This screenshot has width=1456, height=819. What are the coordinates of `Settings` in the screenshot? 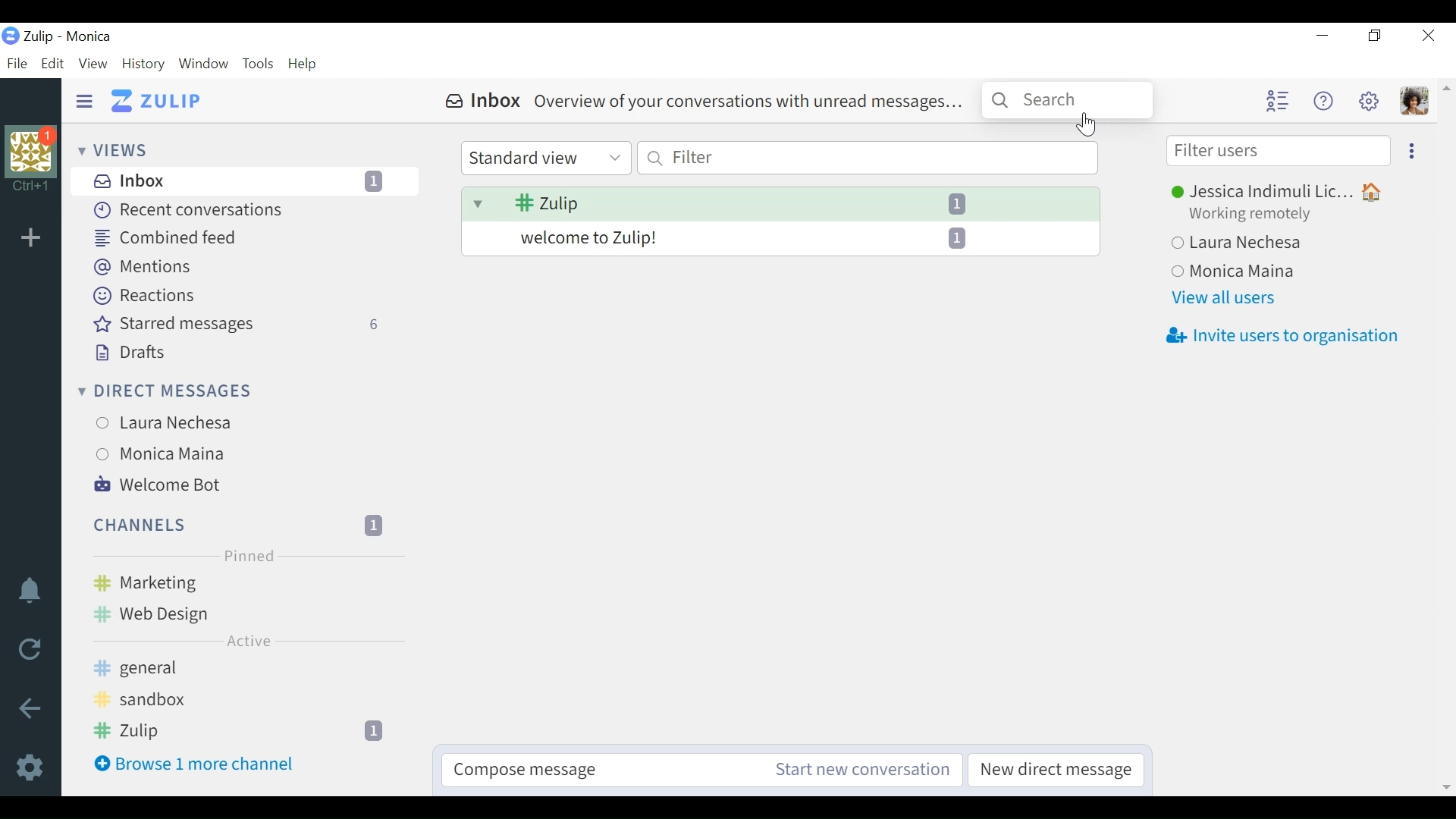 It's located at (30, 768).